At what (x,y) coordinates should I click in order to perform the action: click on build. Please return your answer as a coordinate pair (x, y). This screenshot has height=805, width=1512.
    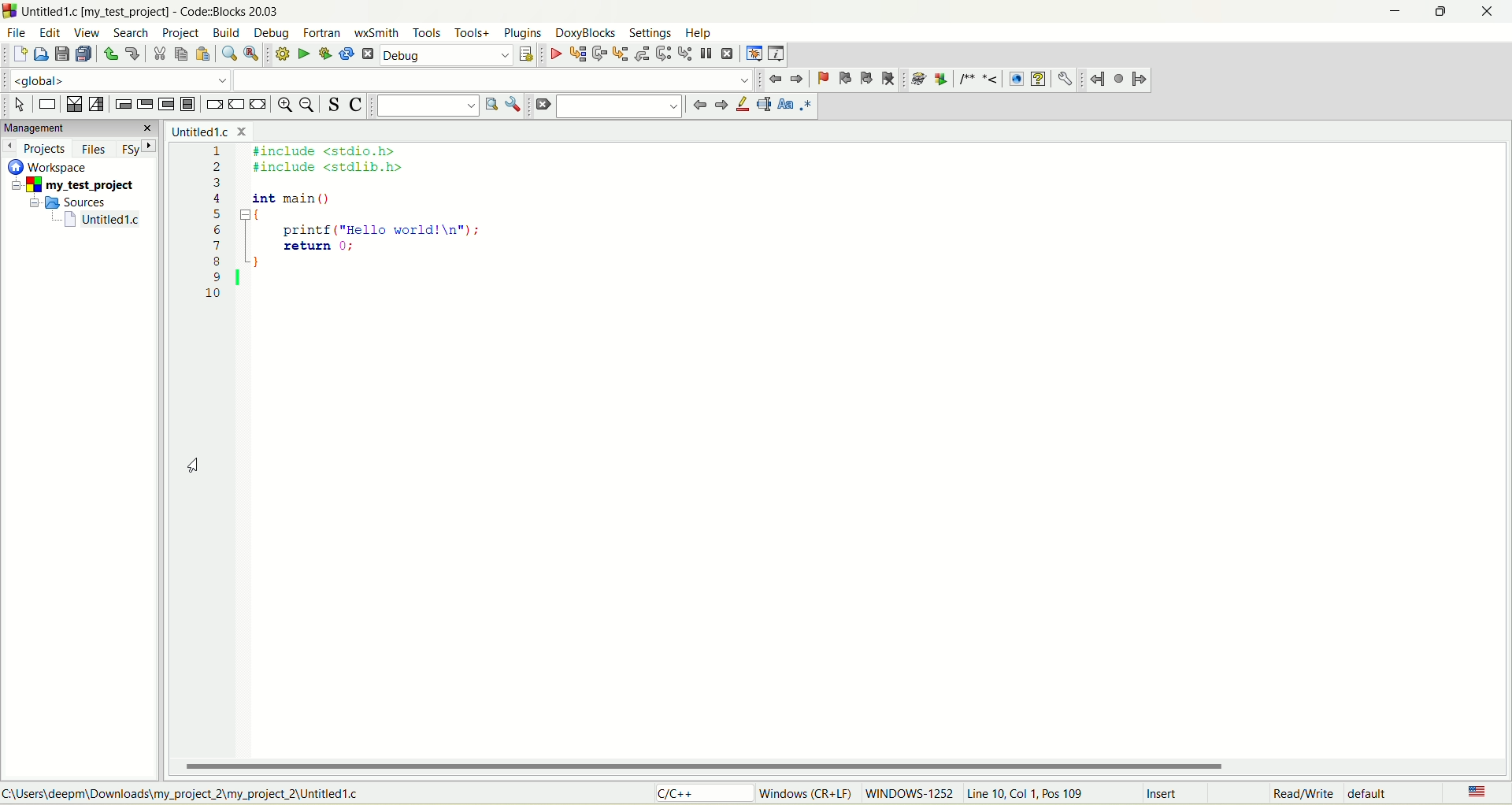
    Looking at the image, I should click on (282, 54).